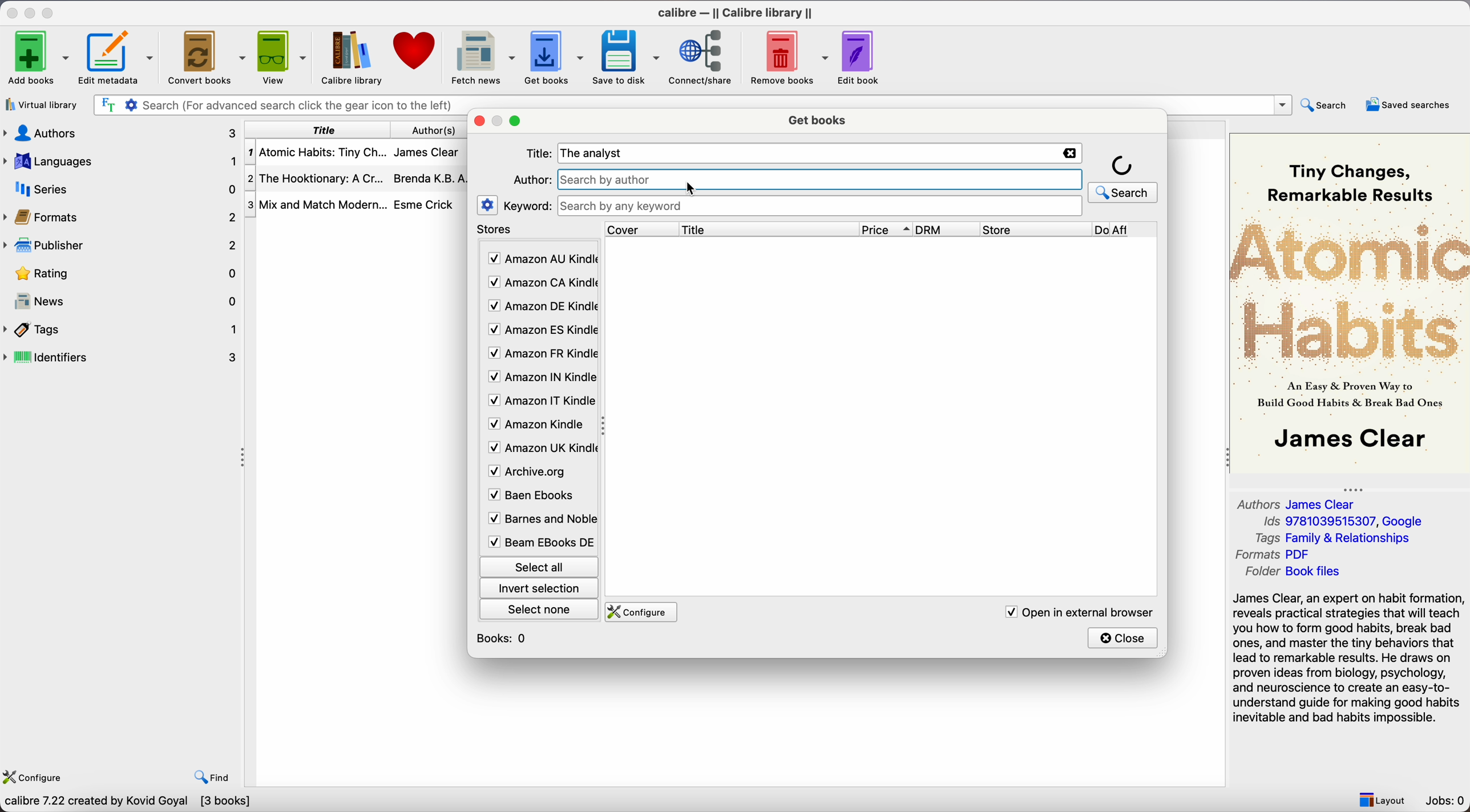  What do you see at coordinates (539, 542) in the screenshot?
I see `Beam Ebooks DE` at bounding box center [539, 542].